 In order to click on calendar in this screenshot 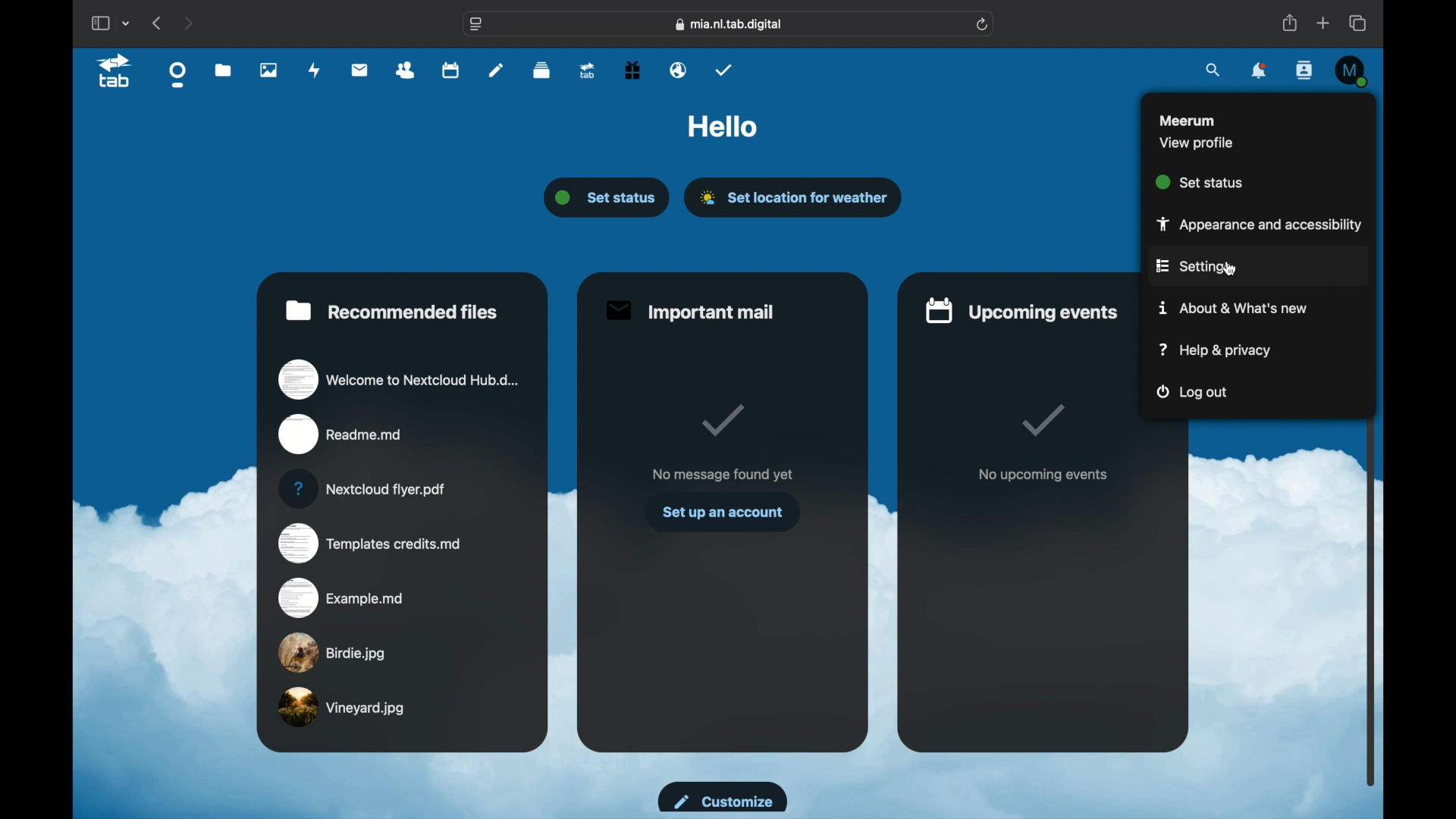, I will do `click(450, 71)`.